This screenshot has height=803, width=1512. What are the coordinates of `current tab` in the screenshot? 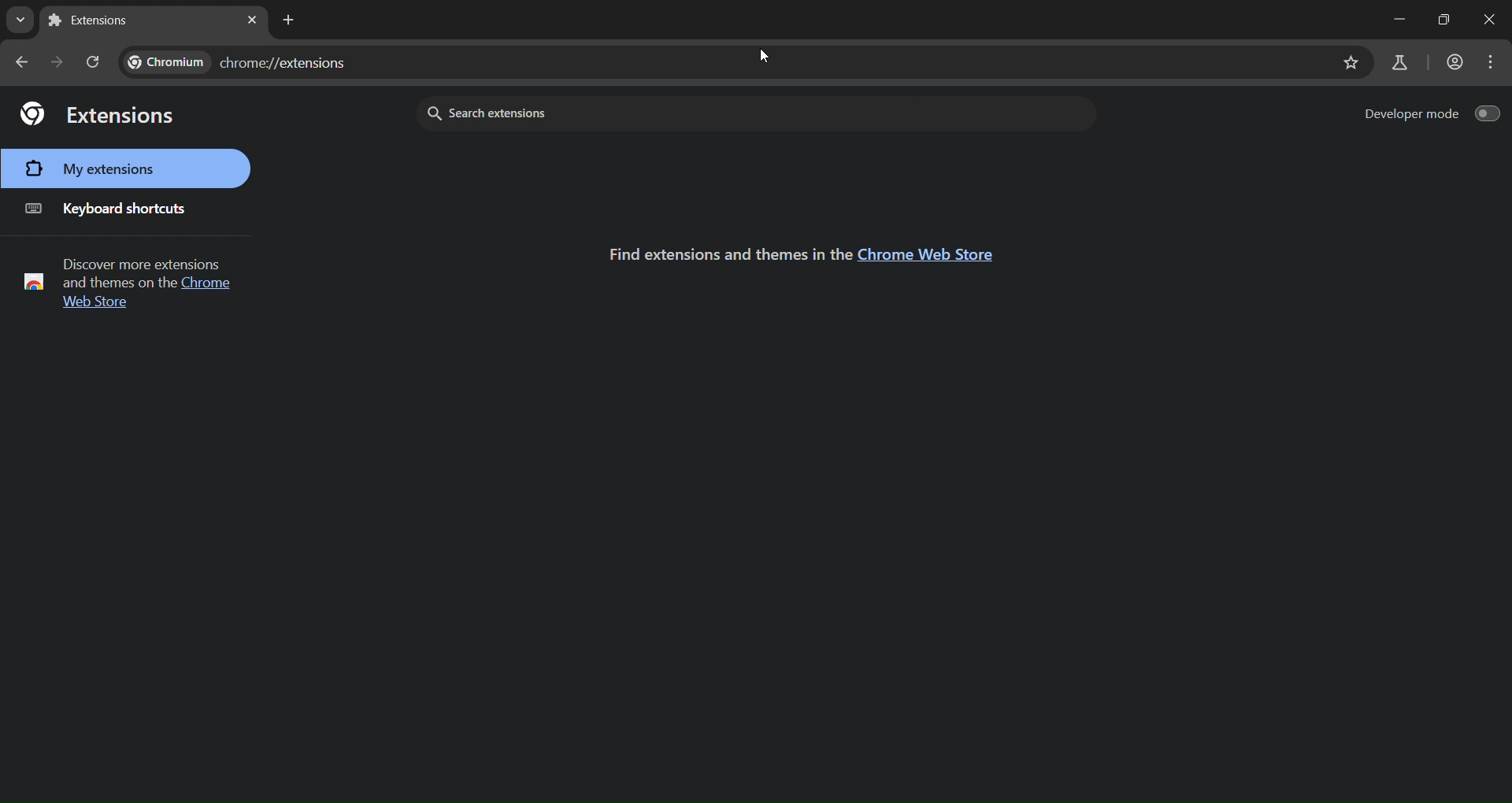 It's located at (94, 20).